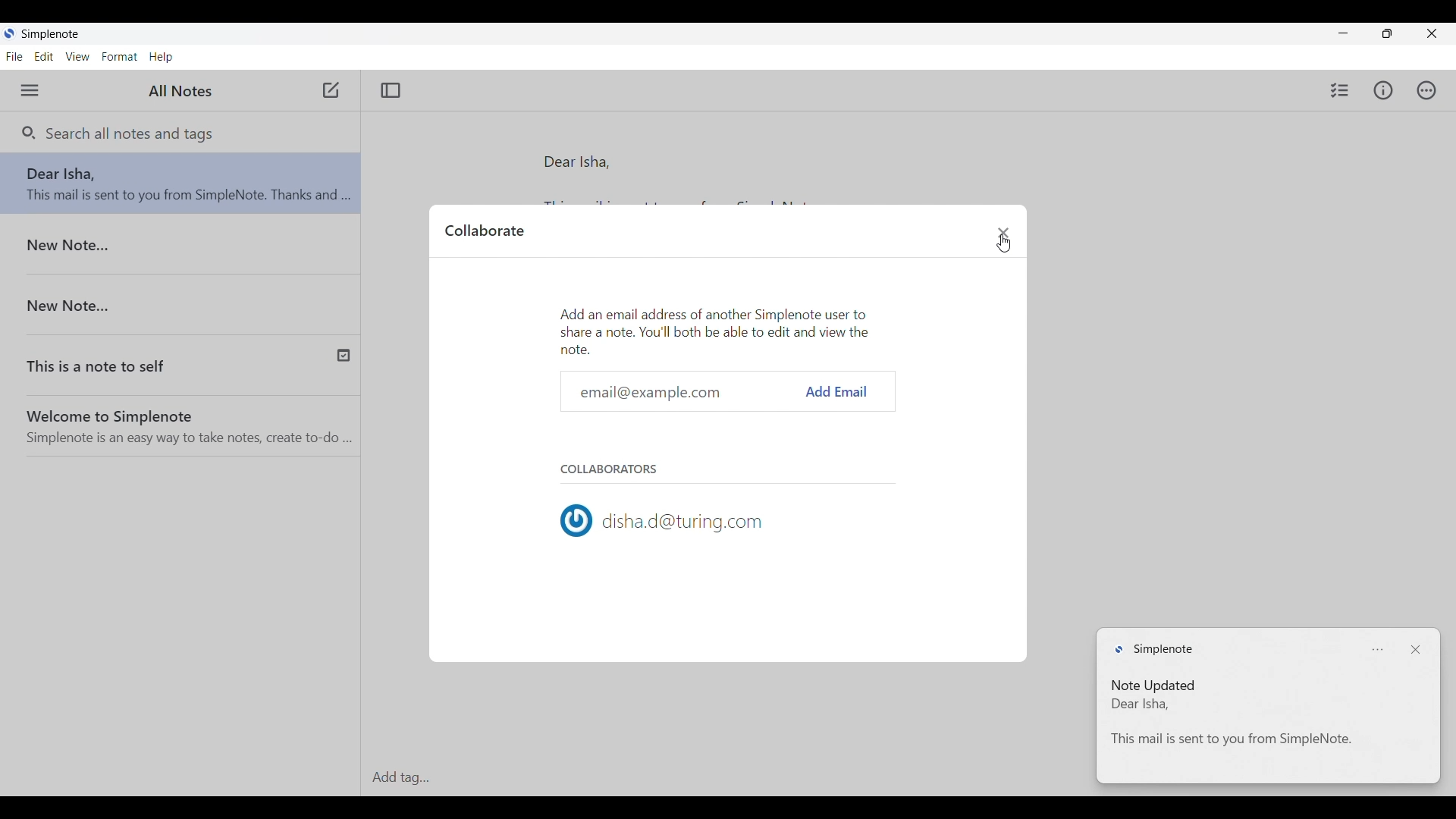  I want to click on File, so click(14, 56).